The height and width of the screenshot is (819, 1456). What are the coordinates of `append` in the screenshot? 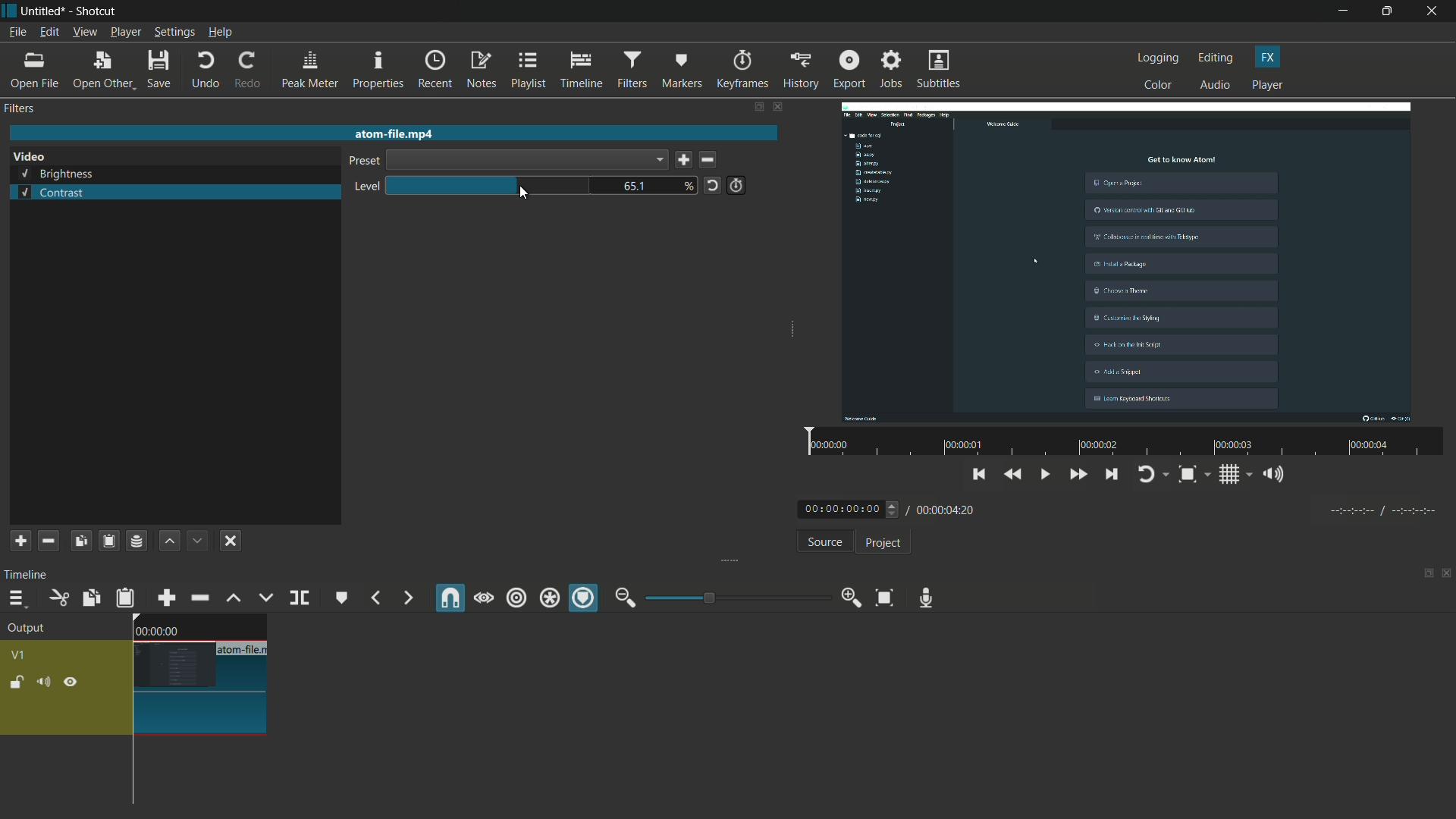 It's located at (165, 598).